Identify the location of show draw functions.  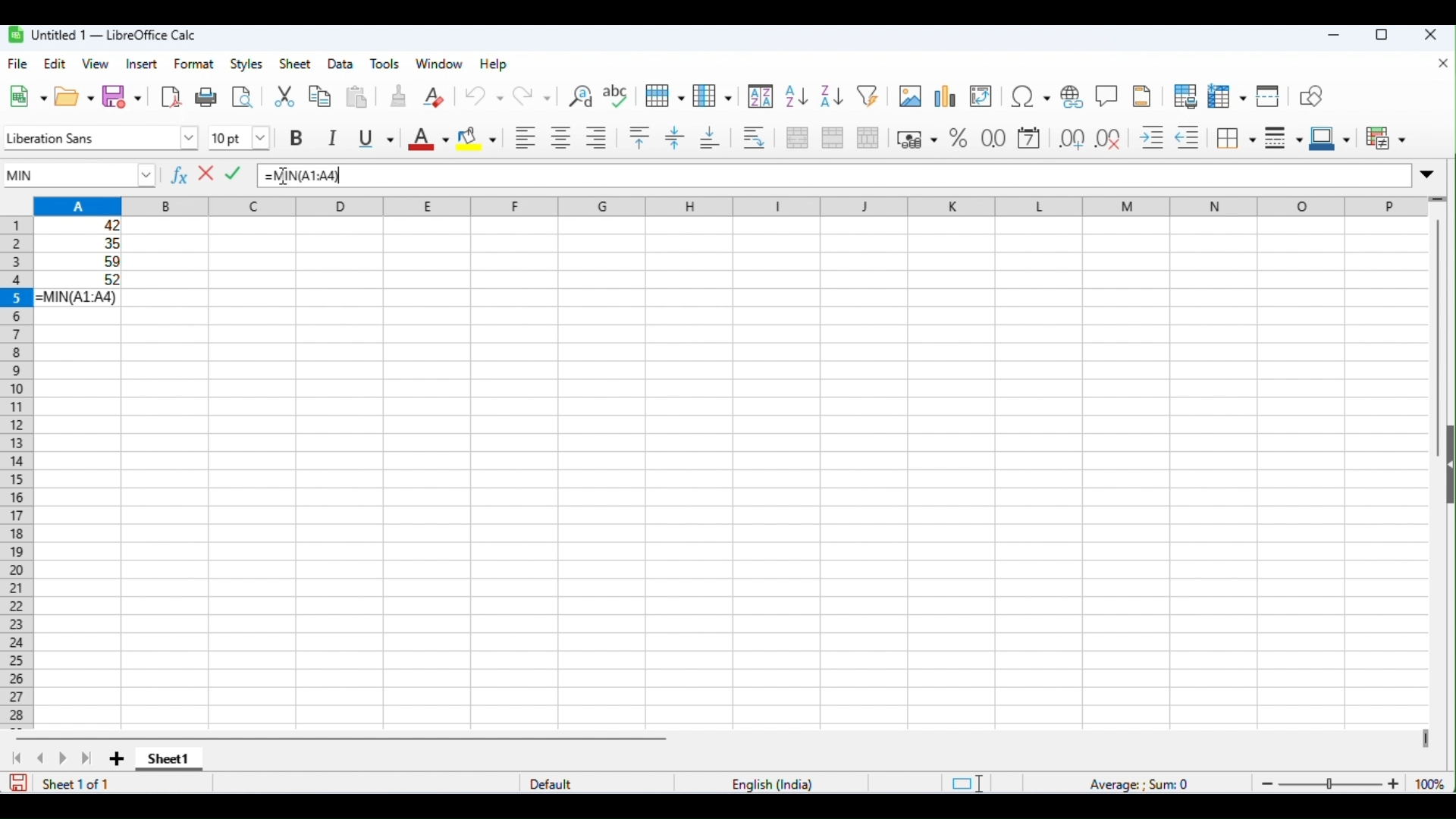
(1311, 97).